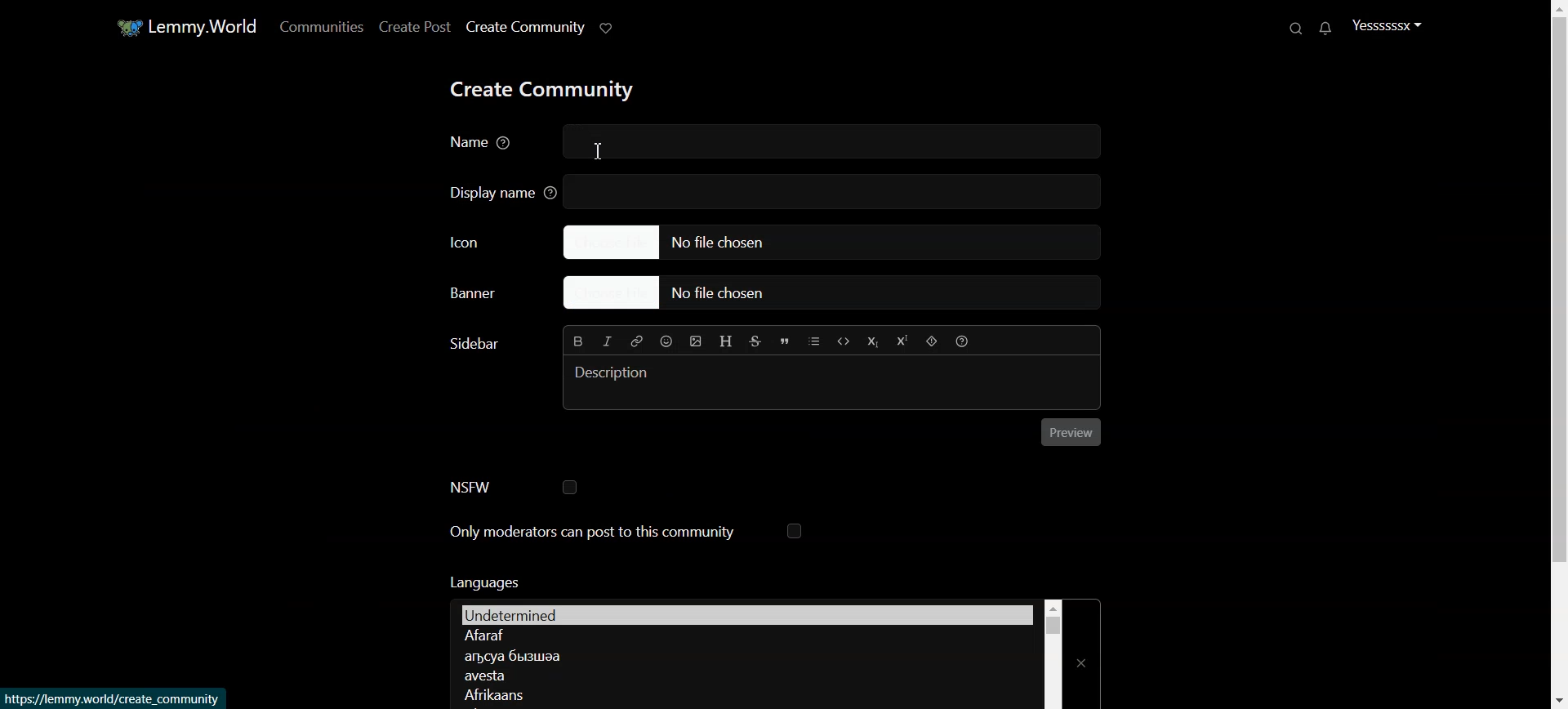 Image resolution: width=1568 pixels, height=709 pixels. I want to click on Subscript, so click(871, 341).